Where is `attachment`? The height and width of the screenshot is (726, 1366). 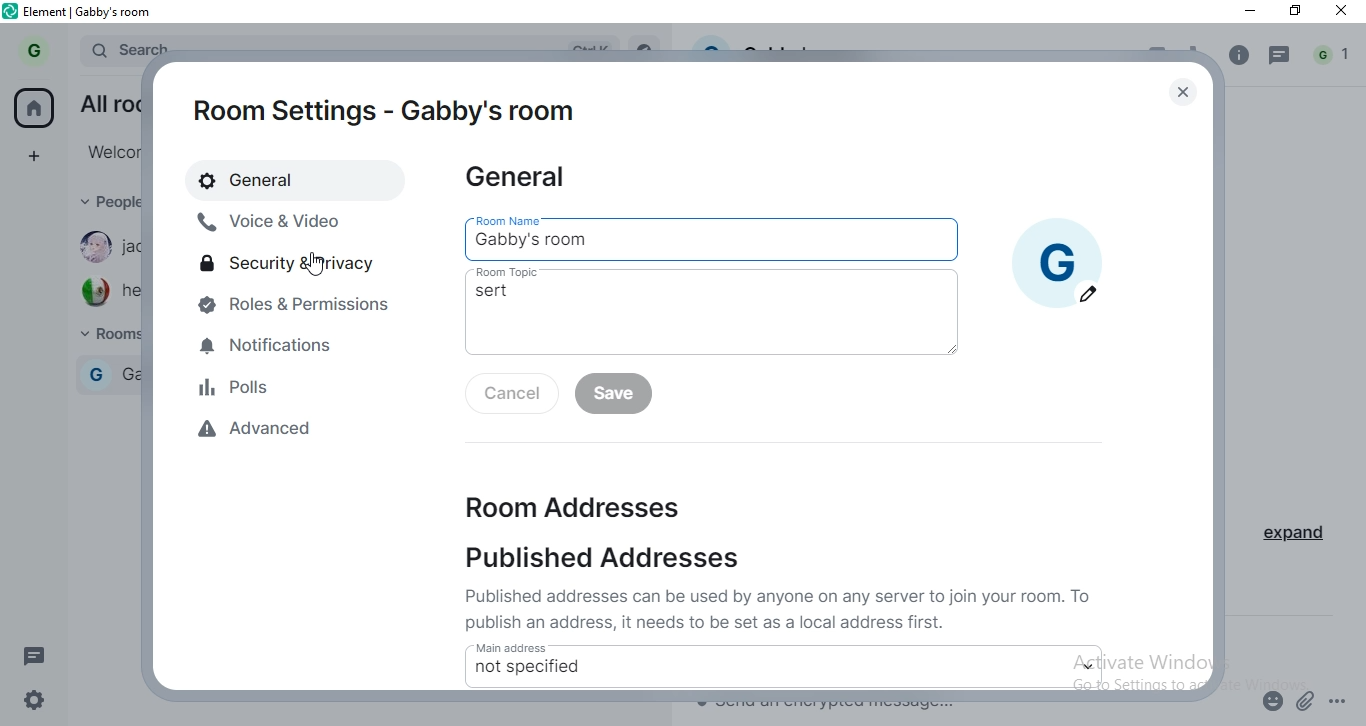
attachment is located at coordinates (1307, 700).